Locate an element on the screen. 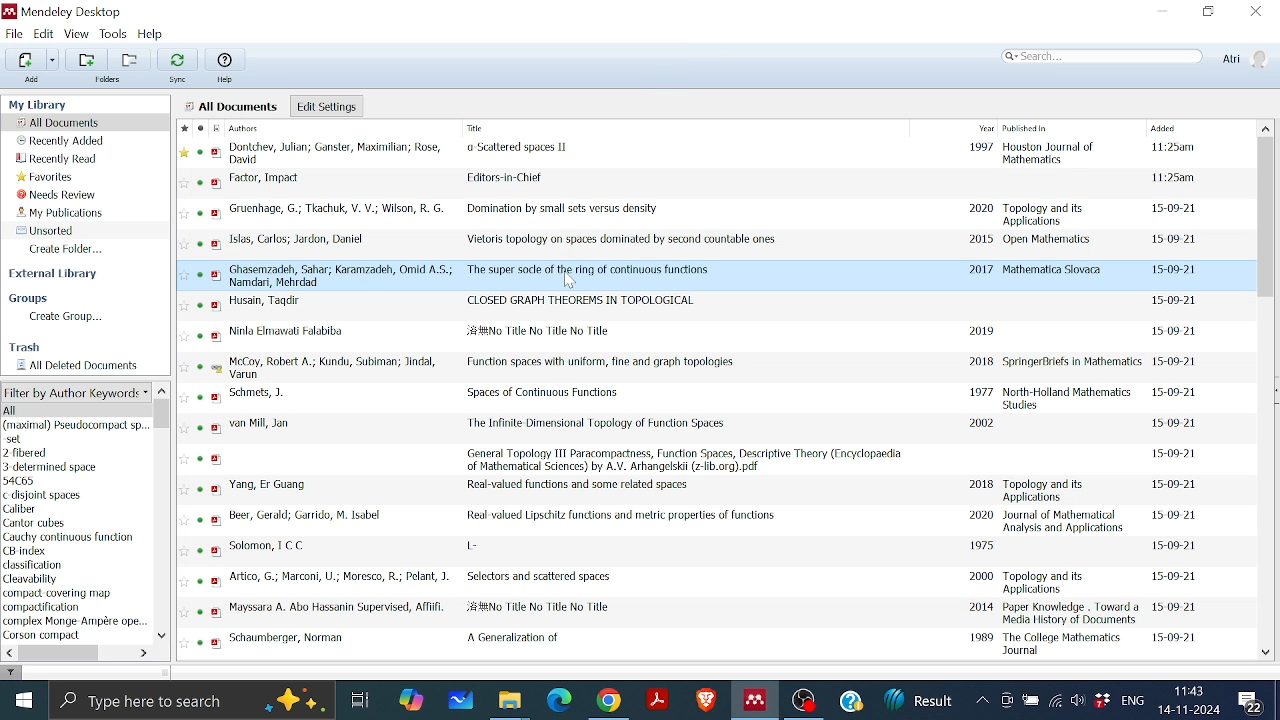  My Library is located at coordinates (38, 104).